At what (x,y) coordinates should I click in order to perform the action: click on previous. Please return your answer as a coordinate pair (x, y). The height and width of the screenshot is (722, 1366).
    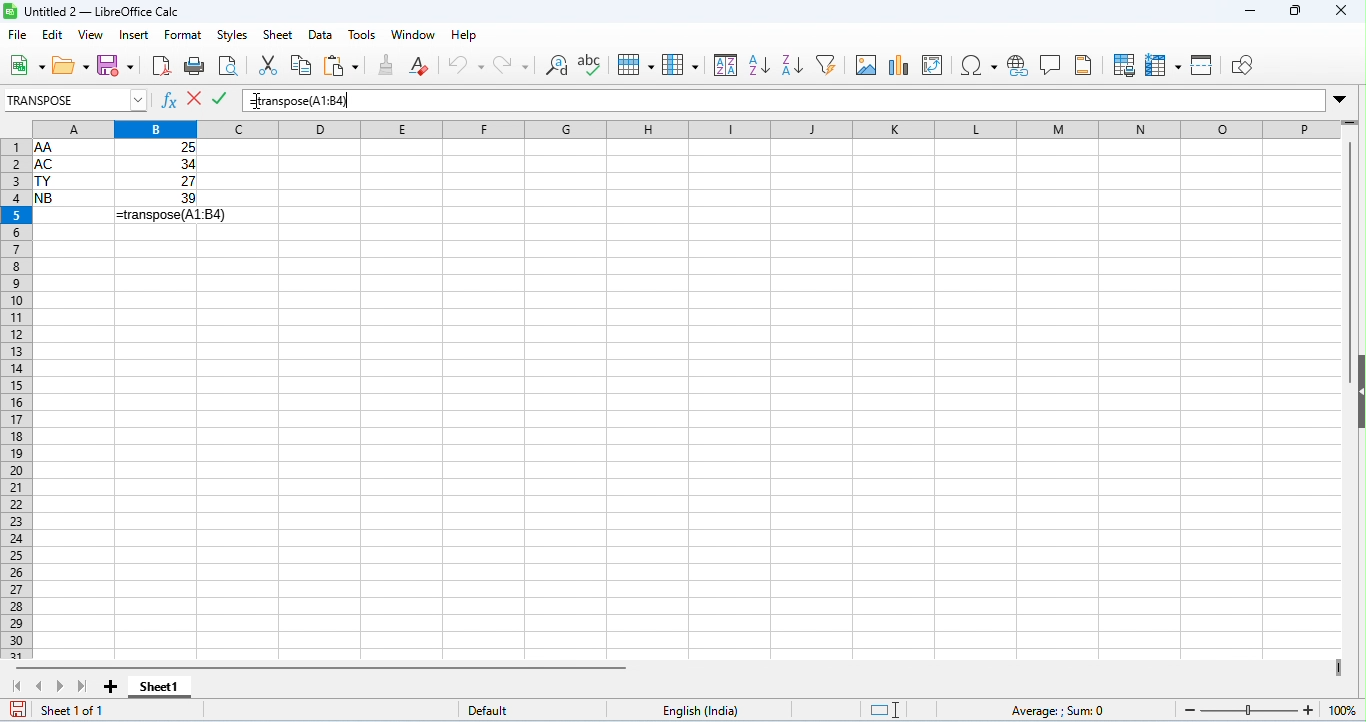
    Looking at the image, I should click on (43, 685).